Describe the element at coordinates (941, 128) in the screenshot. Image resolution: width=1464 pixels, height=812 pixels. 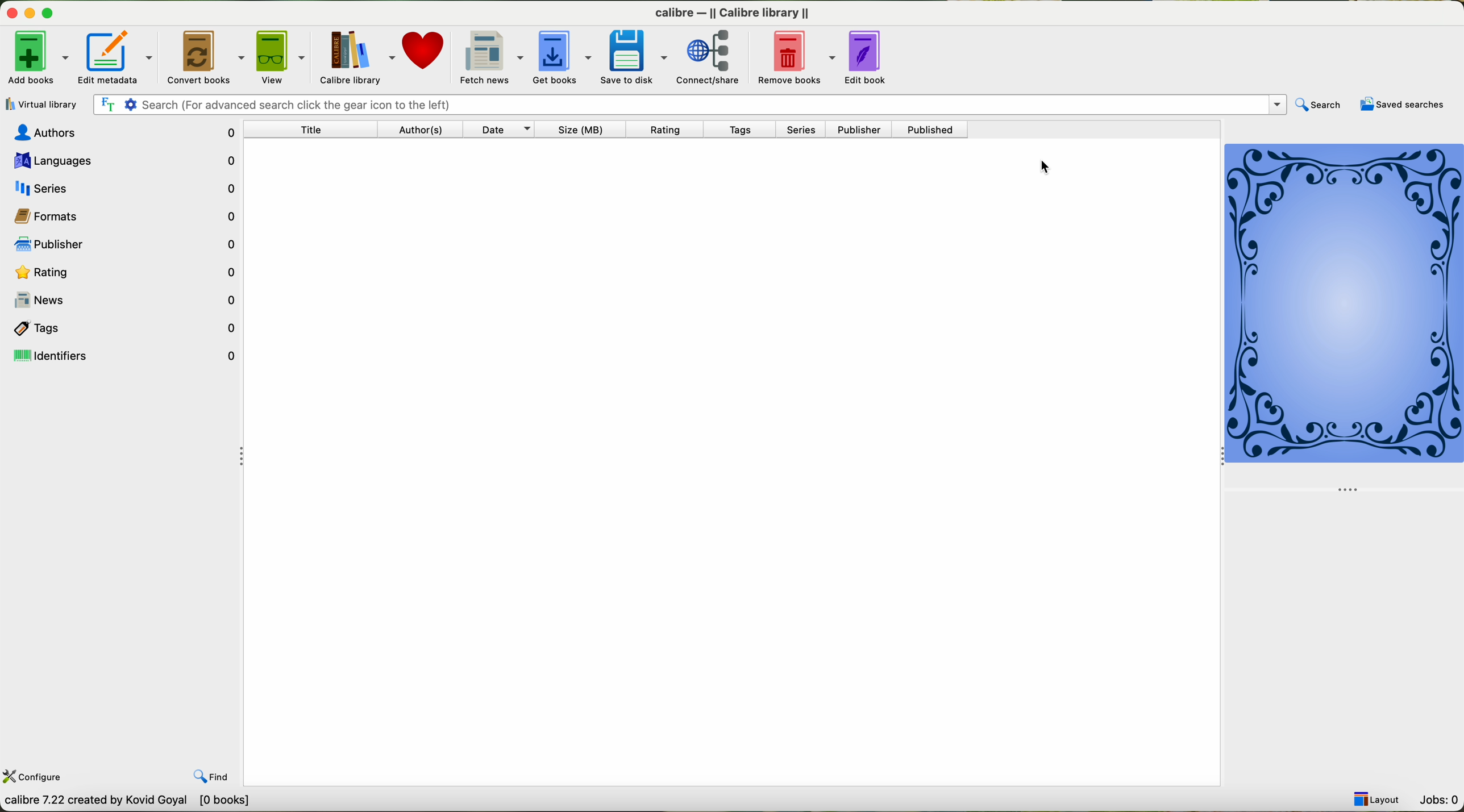
I see `published` at that location.